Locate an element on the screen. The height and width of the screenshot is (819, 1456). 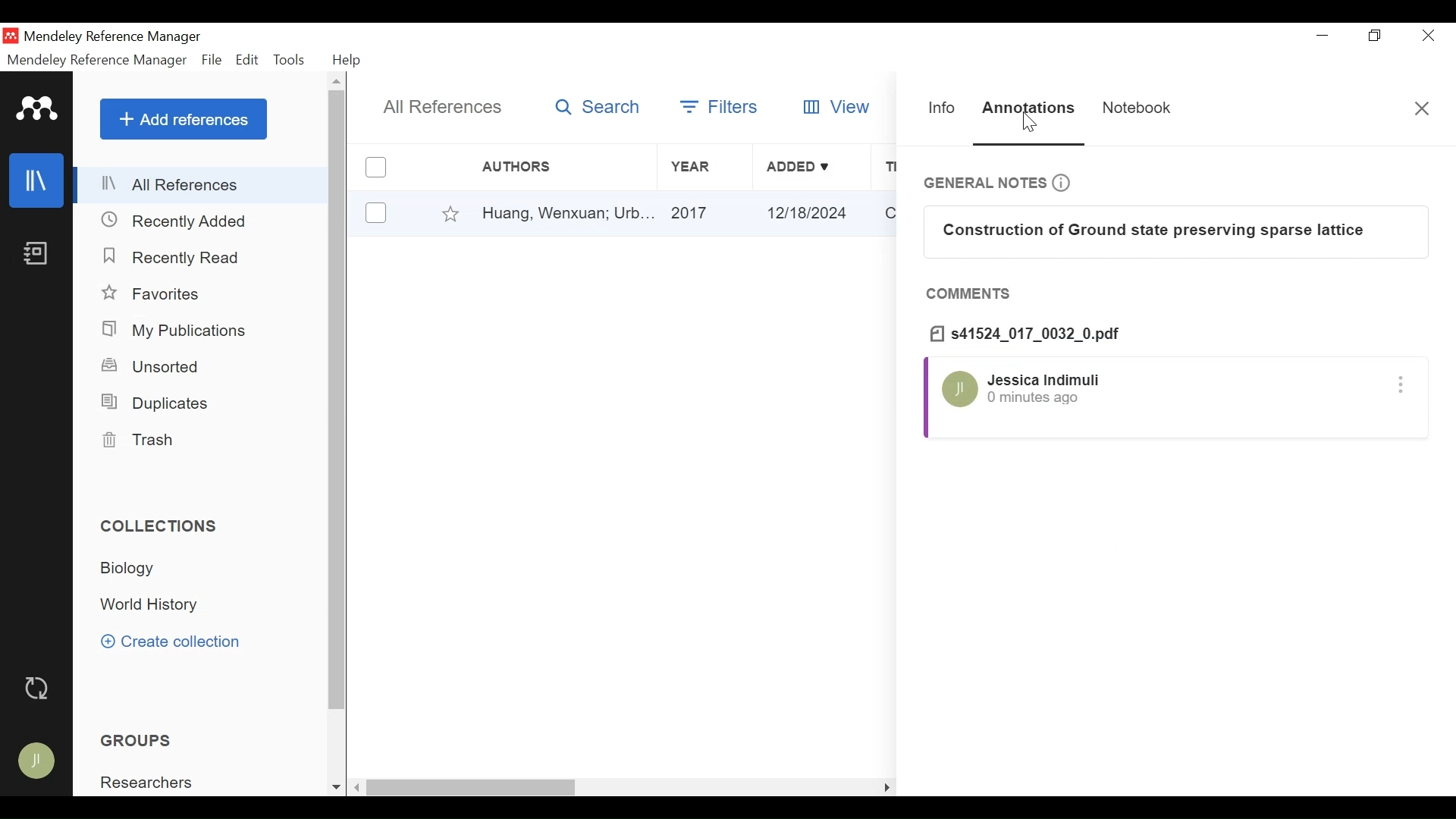
info icon is located at coordinates (1067, 183).